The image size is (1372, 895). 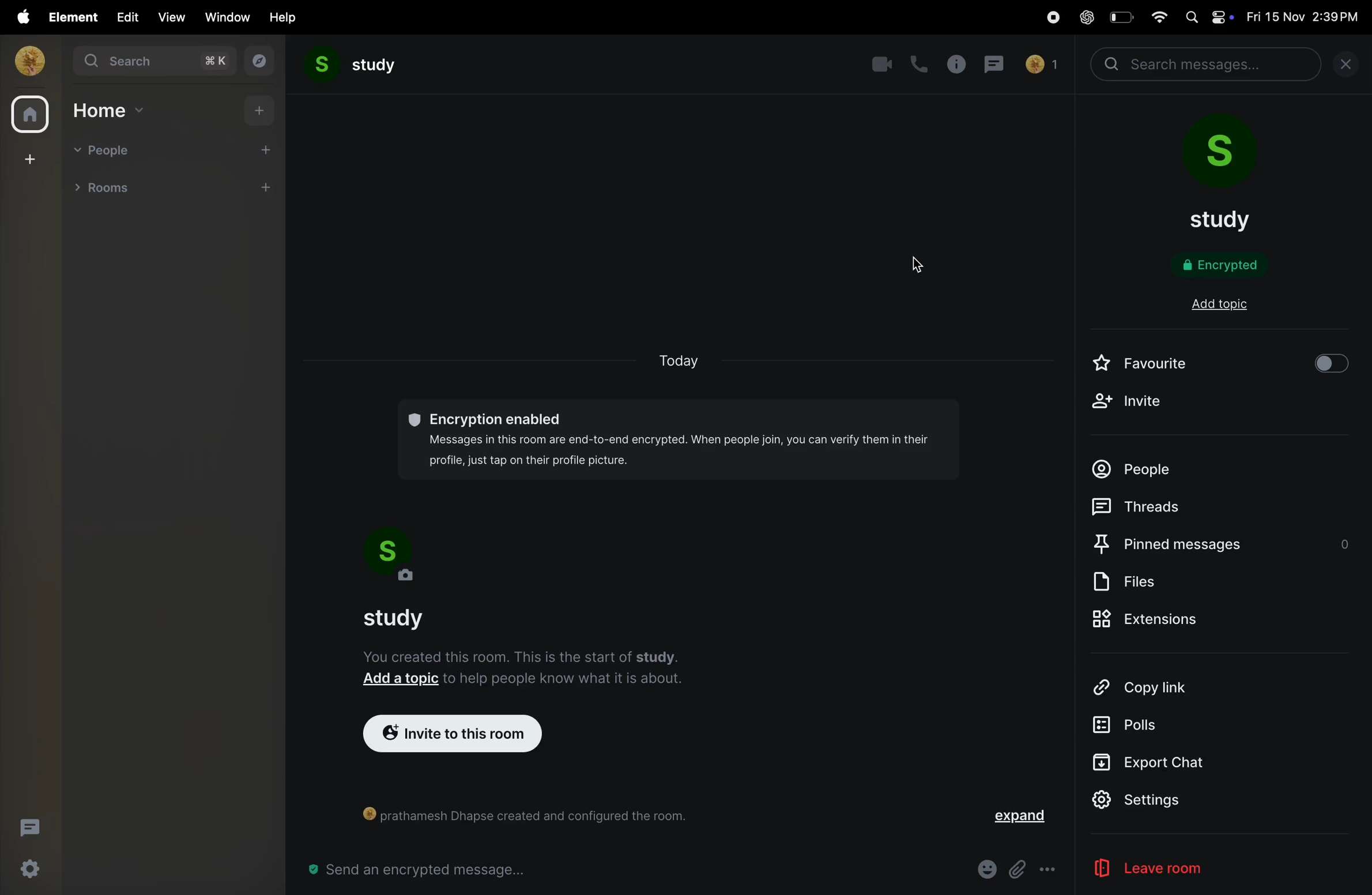 I want to click on invite to room, so click(x=457, y=734).